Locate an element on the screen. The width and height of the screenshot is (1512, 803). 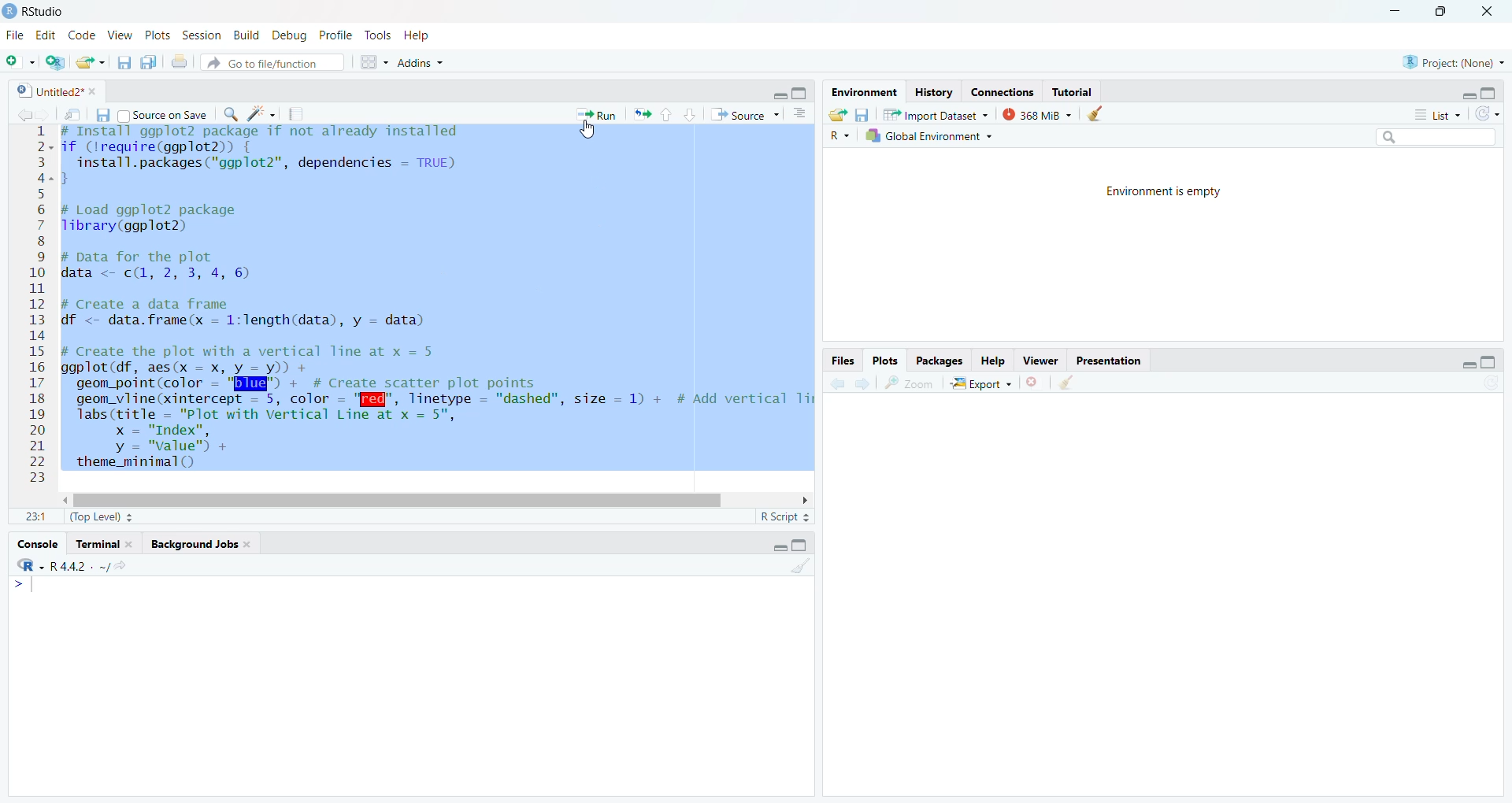
grid is located at coordinates (367, 64).